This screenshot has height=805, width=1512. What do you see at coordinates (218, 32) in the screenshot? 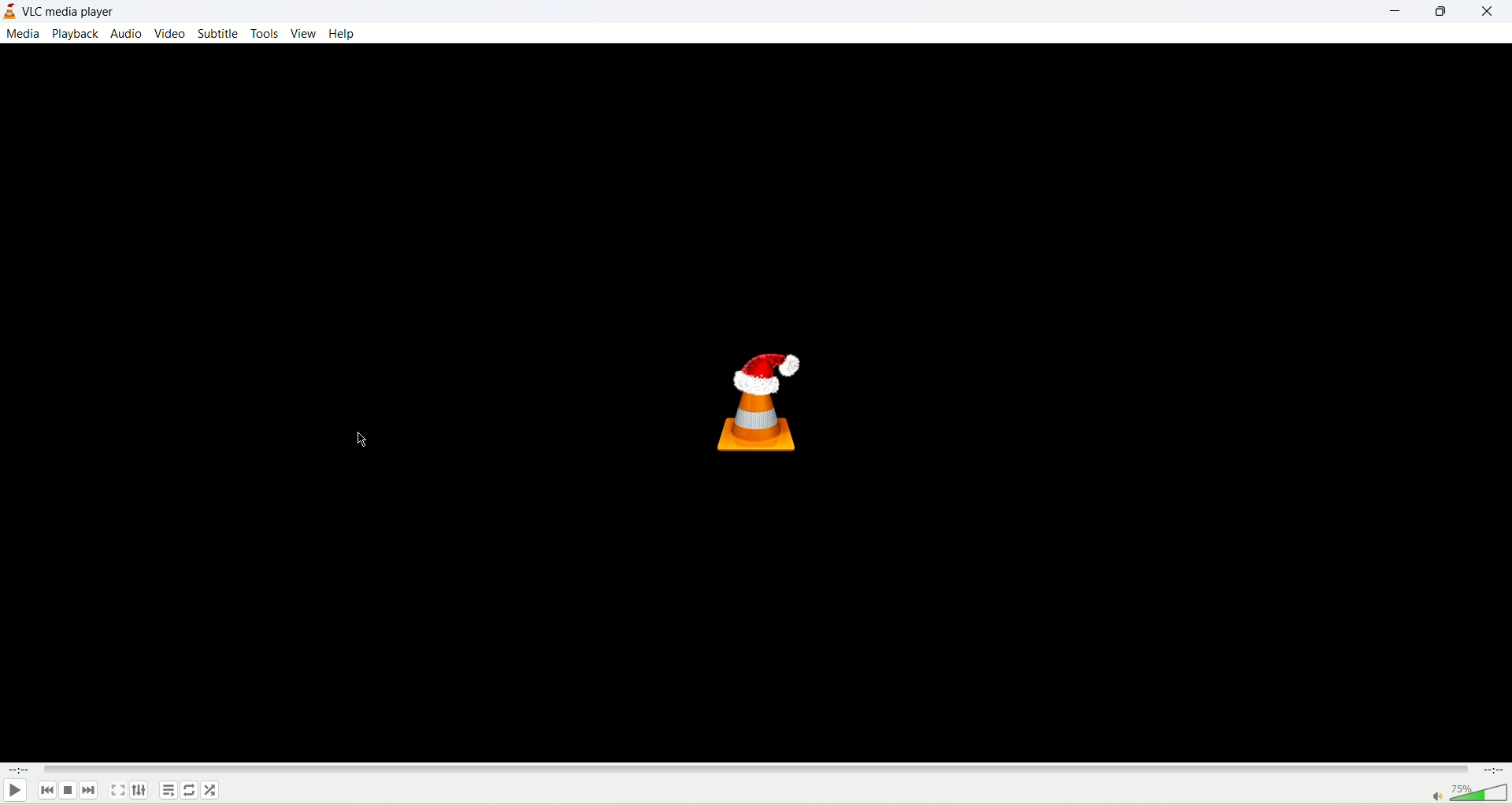
I see `subtitle` at bounding box center [218, 32].